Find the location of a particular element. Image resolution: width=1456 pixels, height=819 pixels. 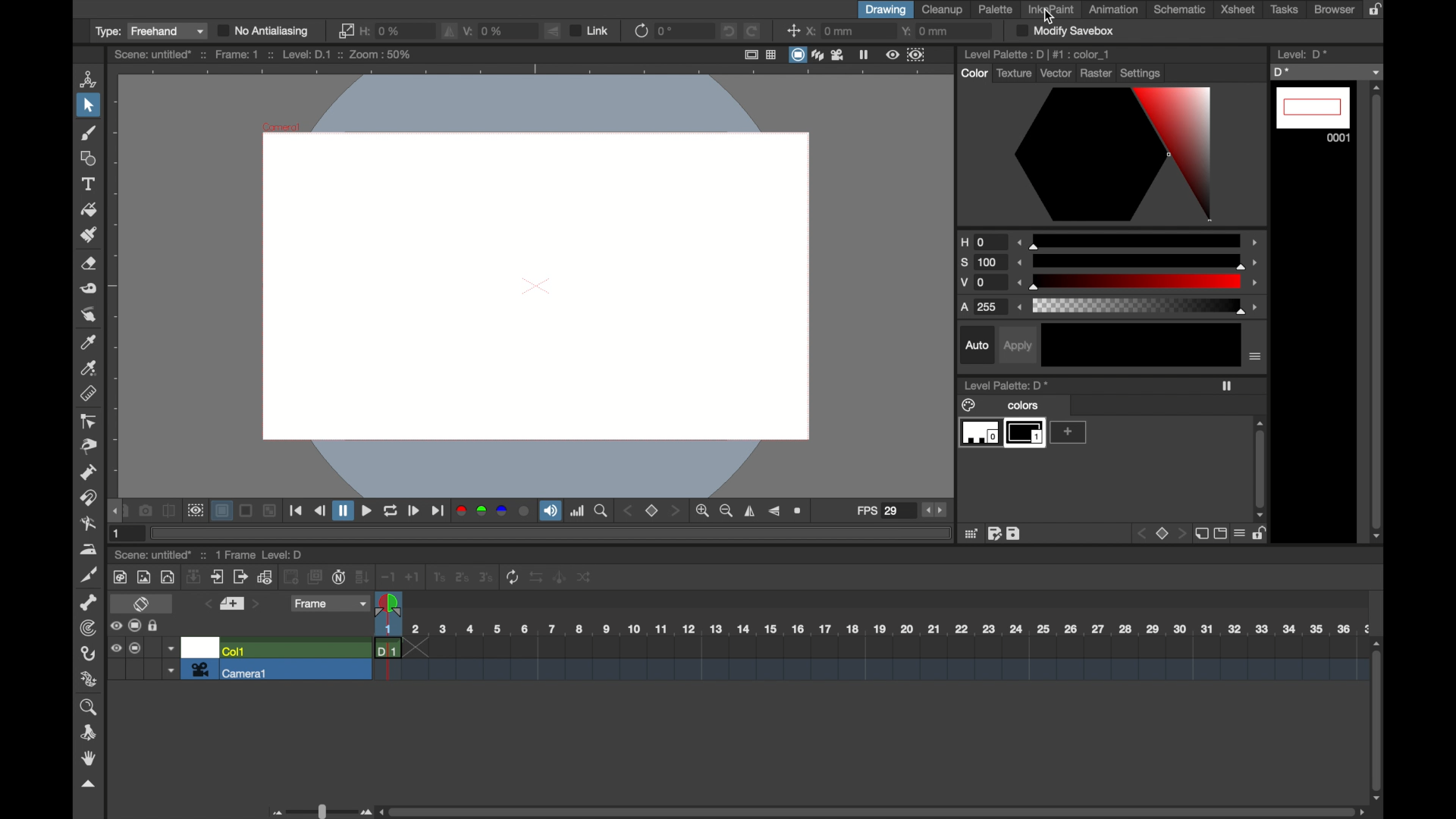

cleanup is located at coordinates (943, 9).